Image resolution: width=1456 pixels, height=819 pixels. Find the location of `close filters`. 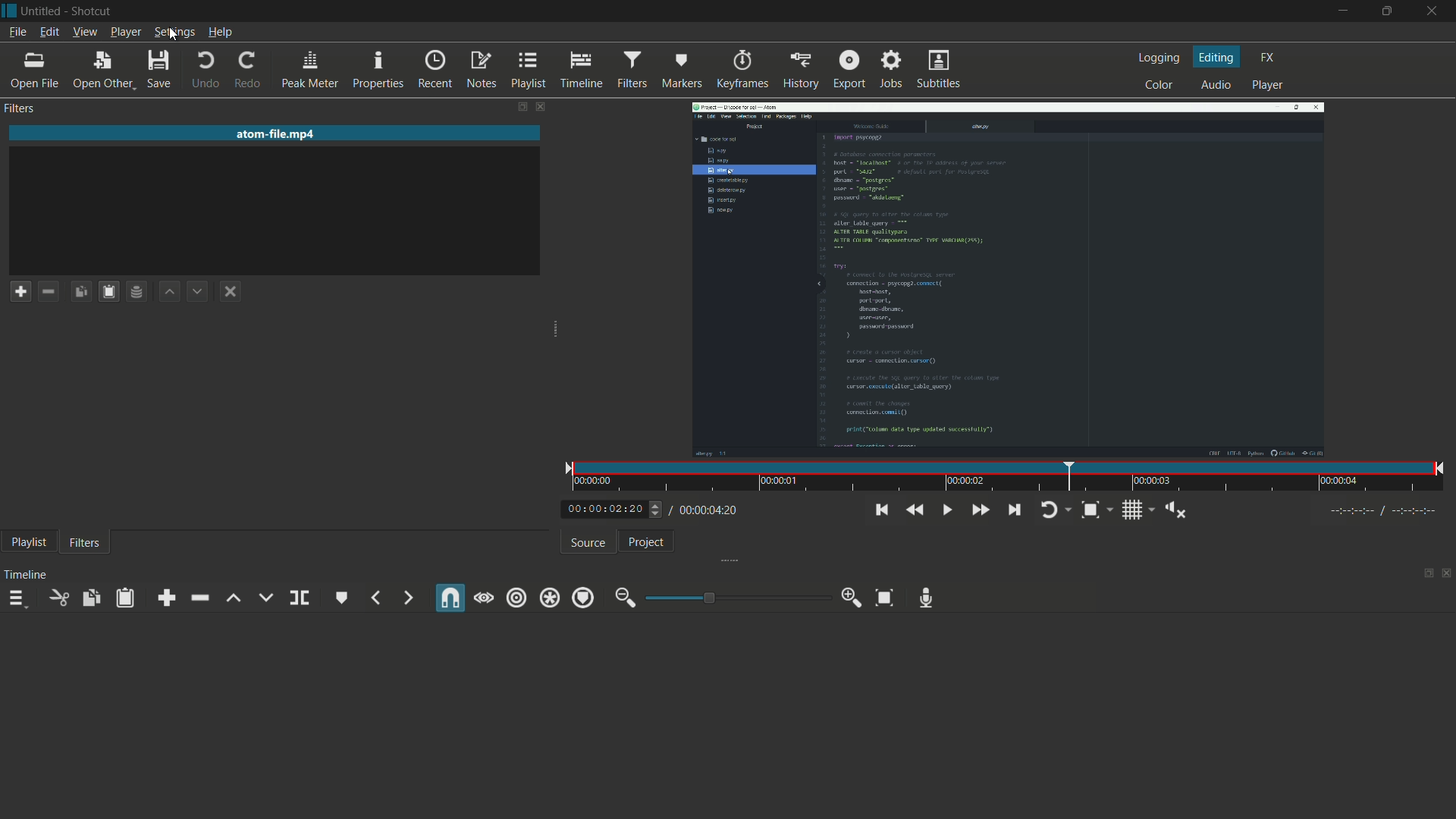

close filters is located at coordinates (543, 108).